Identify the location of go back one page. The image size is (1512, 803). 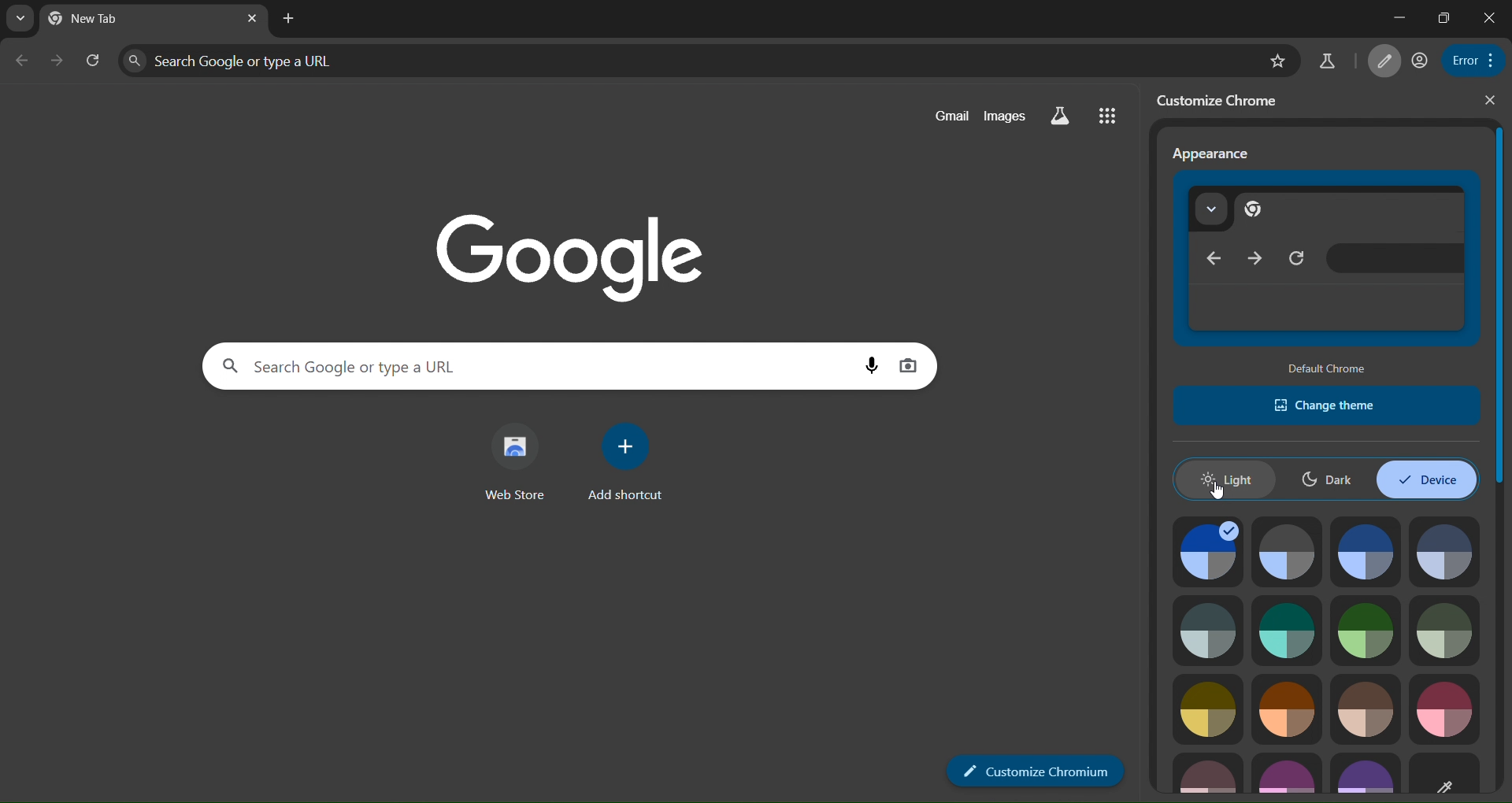
(20, 62).